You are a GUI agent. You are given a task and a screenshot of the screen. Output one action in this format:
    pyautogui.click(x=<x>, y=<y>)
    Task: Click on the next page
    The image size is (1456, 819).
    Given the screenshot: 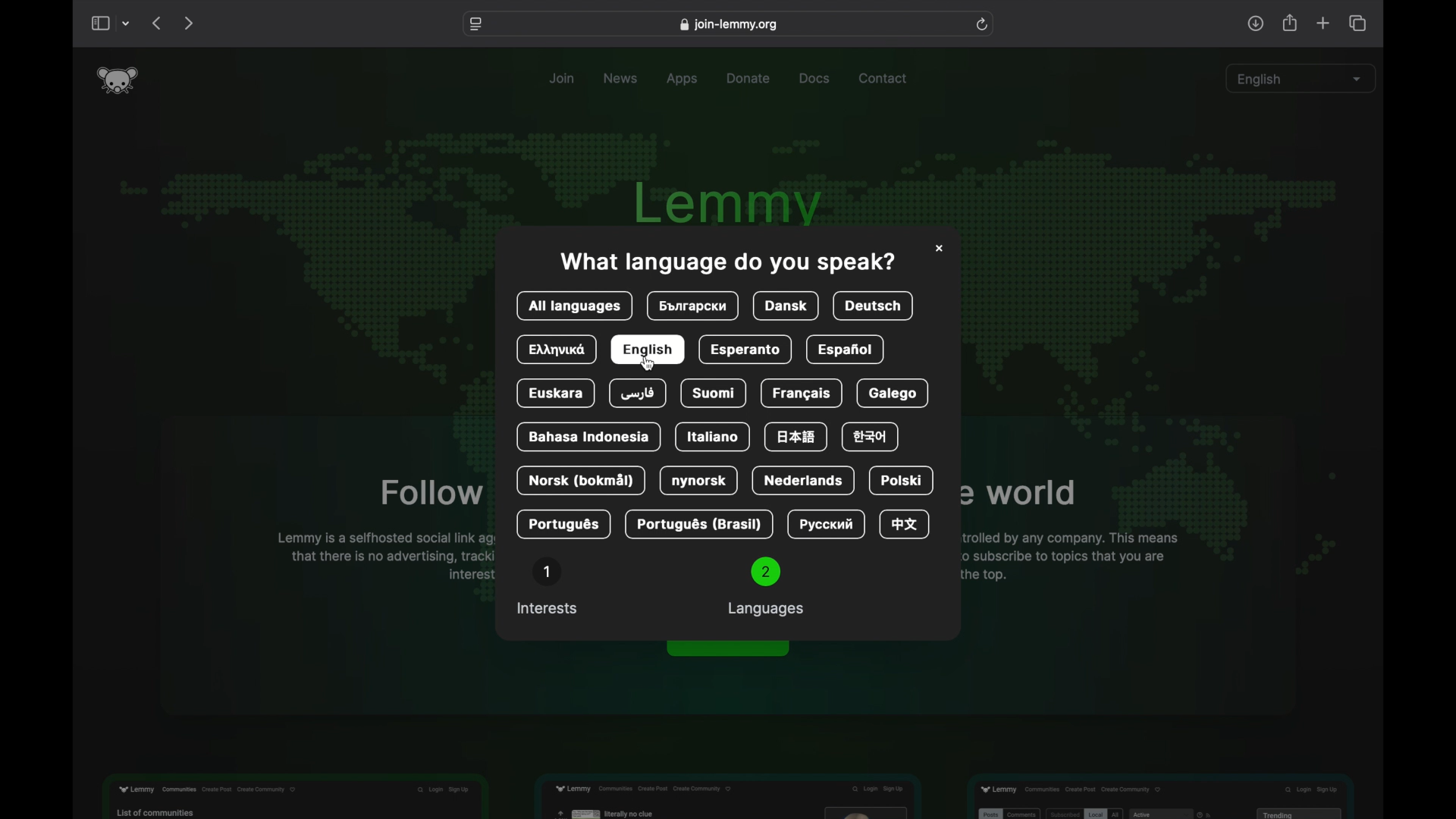 What is the action you would take?
    pyautogui.click(x=188, y=24)
    